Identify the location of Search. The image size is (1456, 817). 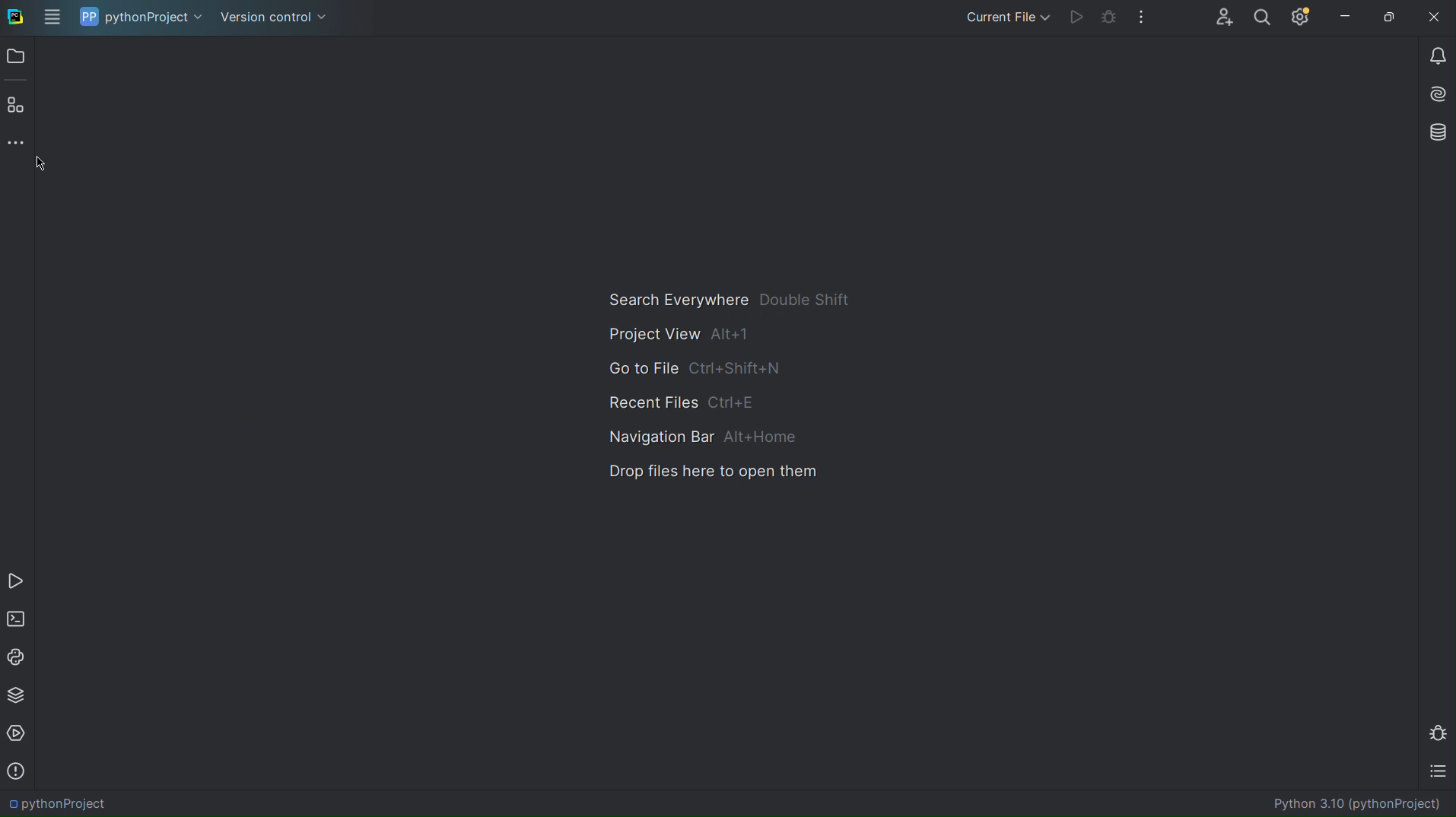
(1267, 19).